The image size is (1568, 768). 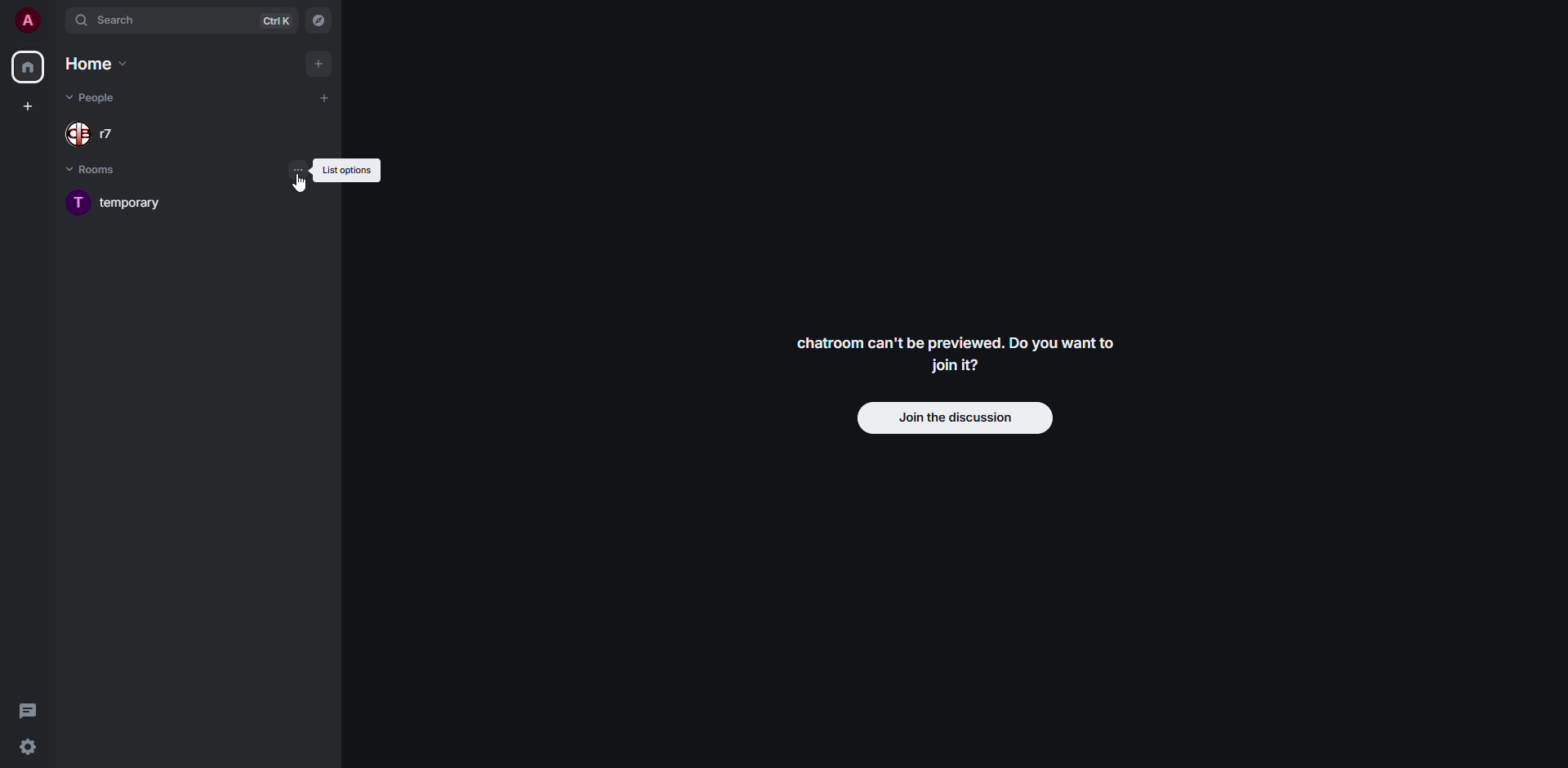 What do you see at coordinates (96, 64) in the screenshot?
I see `home` at bounding box center [96, 64].